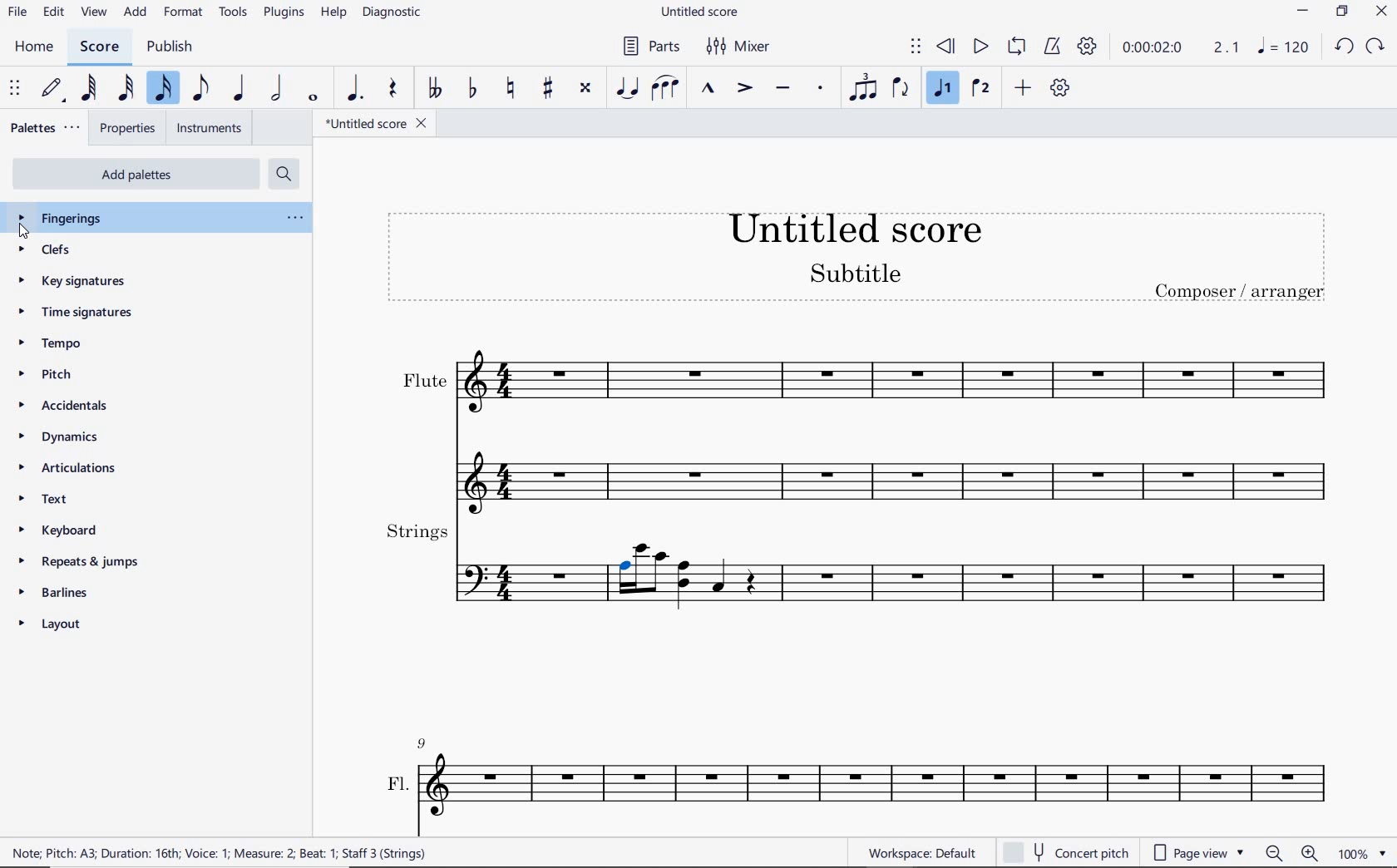 The height and width of the screenshot is (868, 1397). I want to click on zoom factor, so click(1361, 852).